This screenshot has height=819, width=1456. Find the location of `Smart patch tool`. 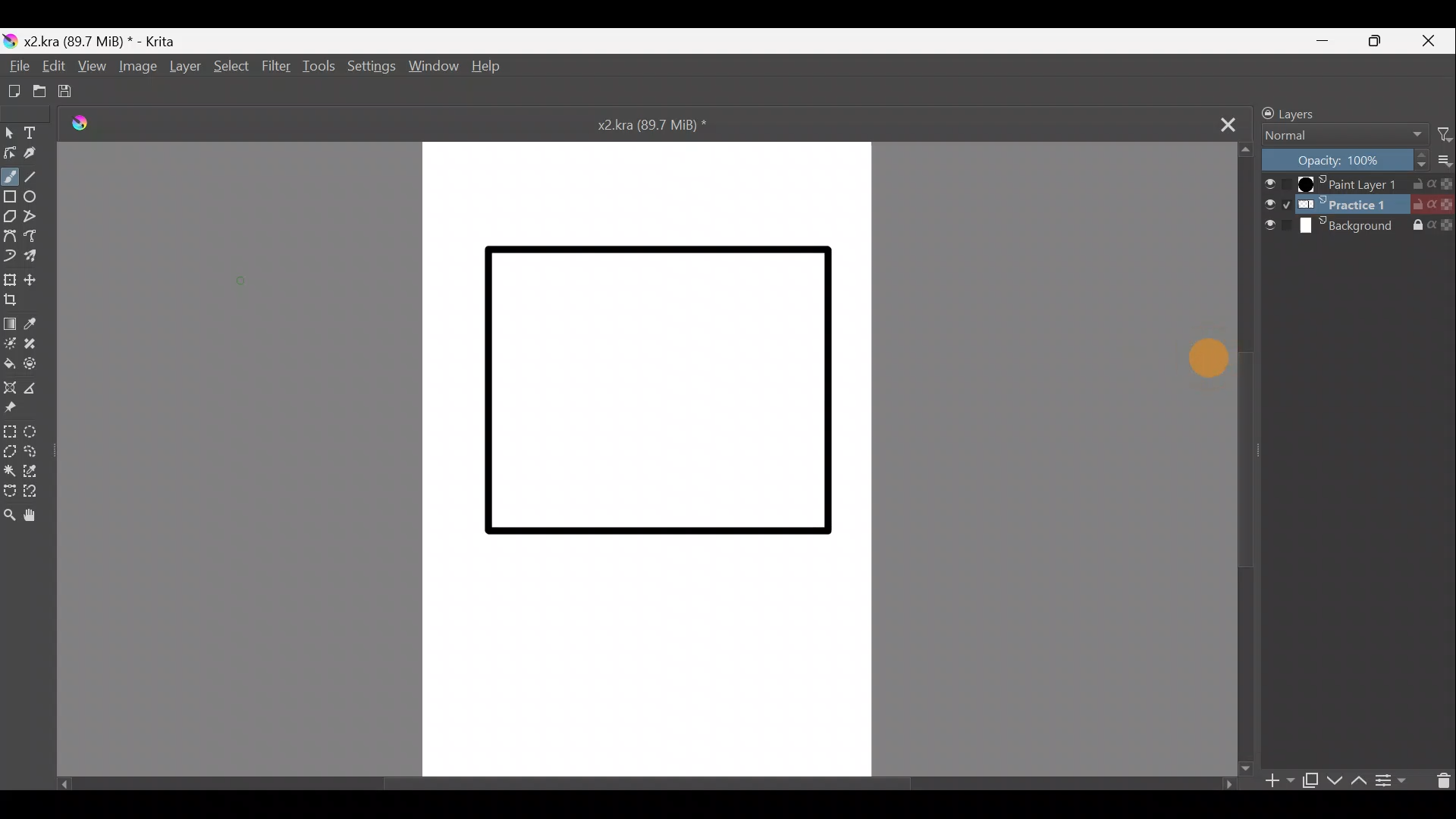

Smart patch tool is located at coordinates (35, 344).